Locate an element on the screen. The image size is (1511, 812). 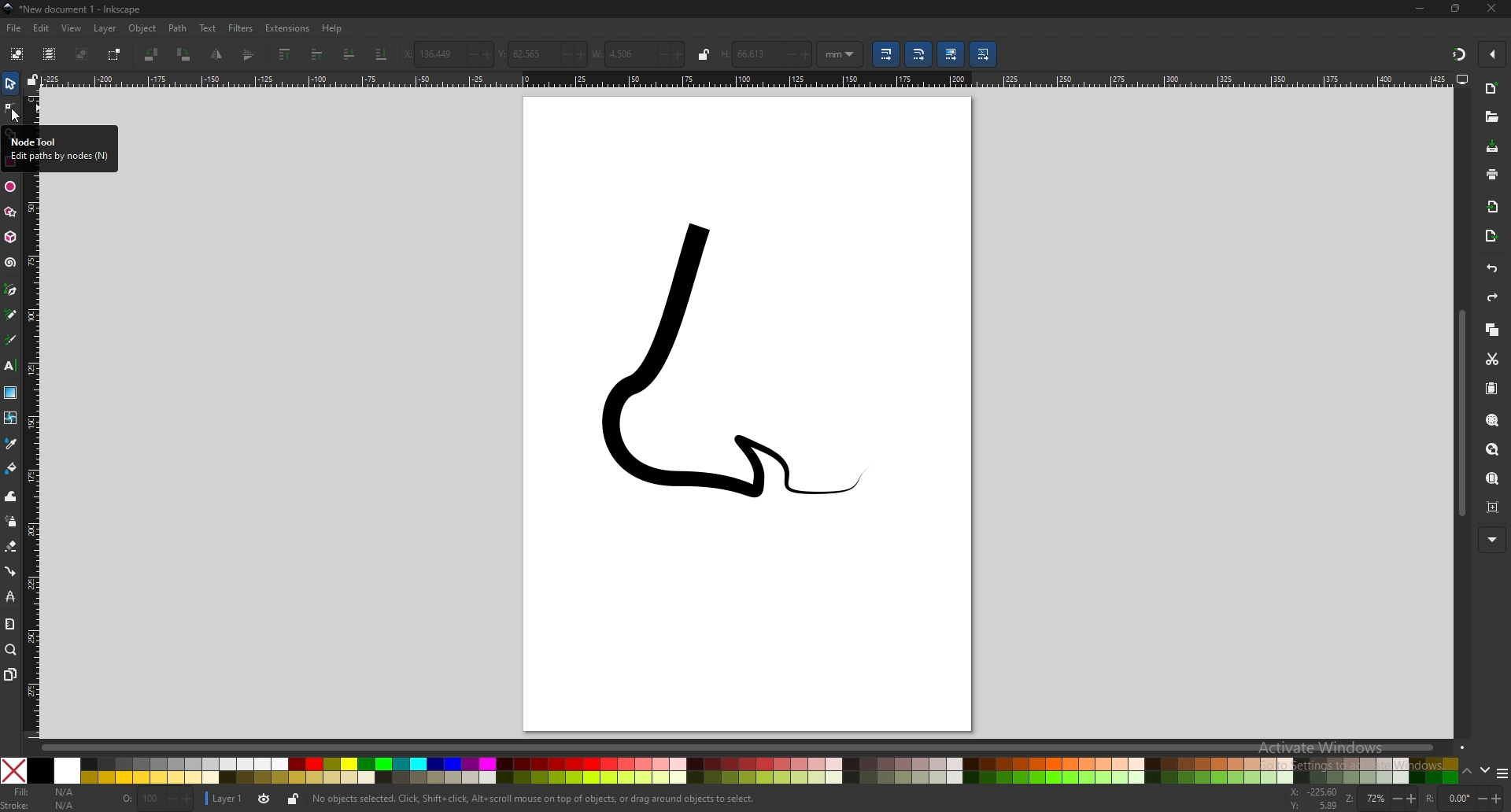
resize is located at coordinates (1456, 9).